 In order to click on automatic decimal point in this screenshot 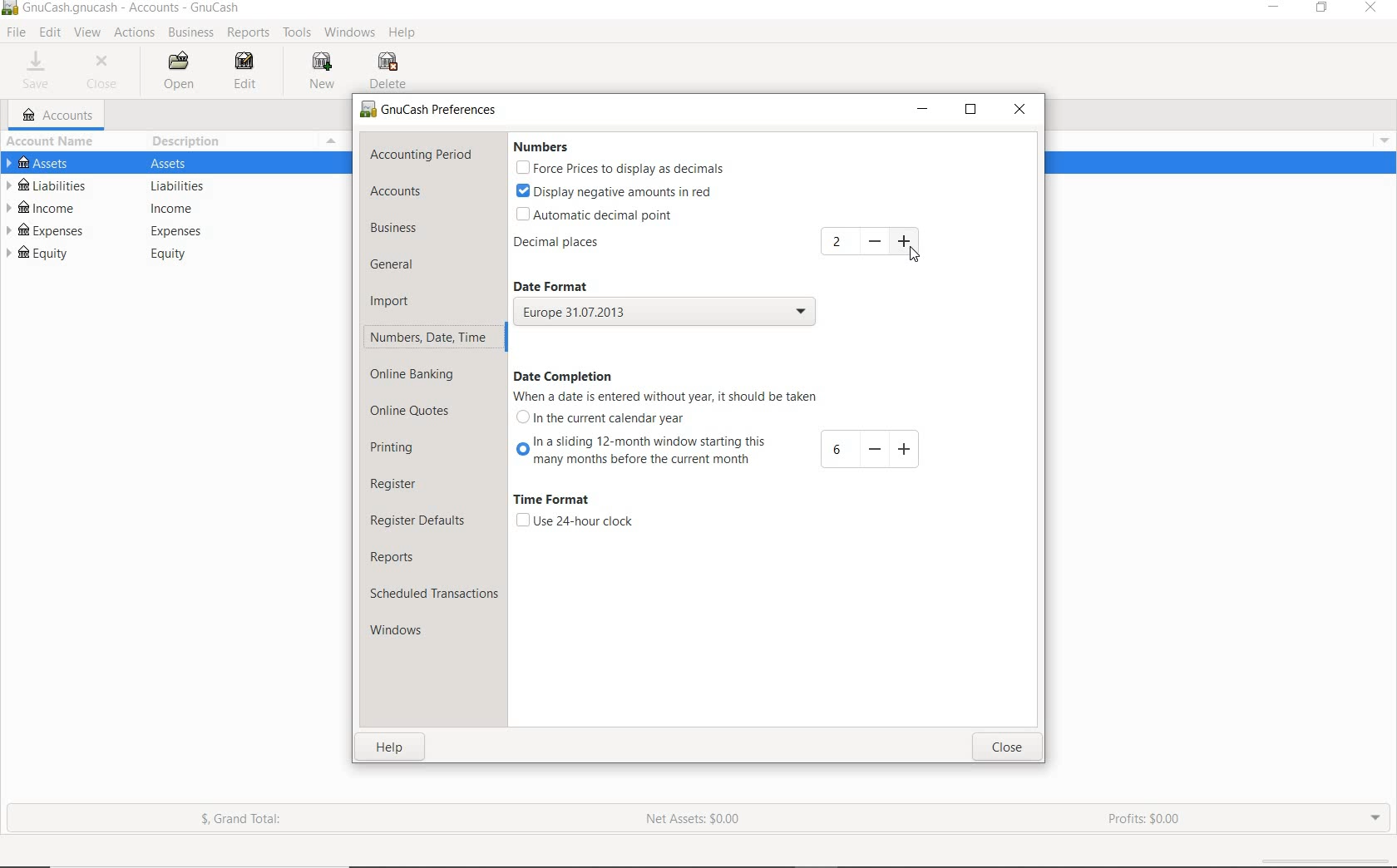, I will do `click(604, 214)`.